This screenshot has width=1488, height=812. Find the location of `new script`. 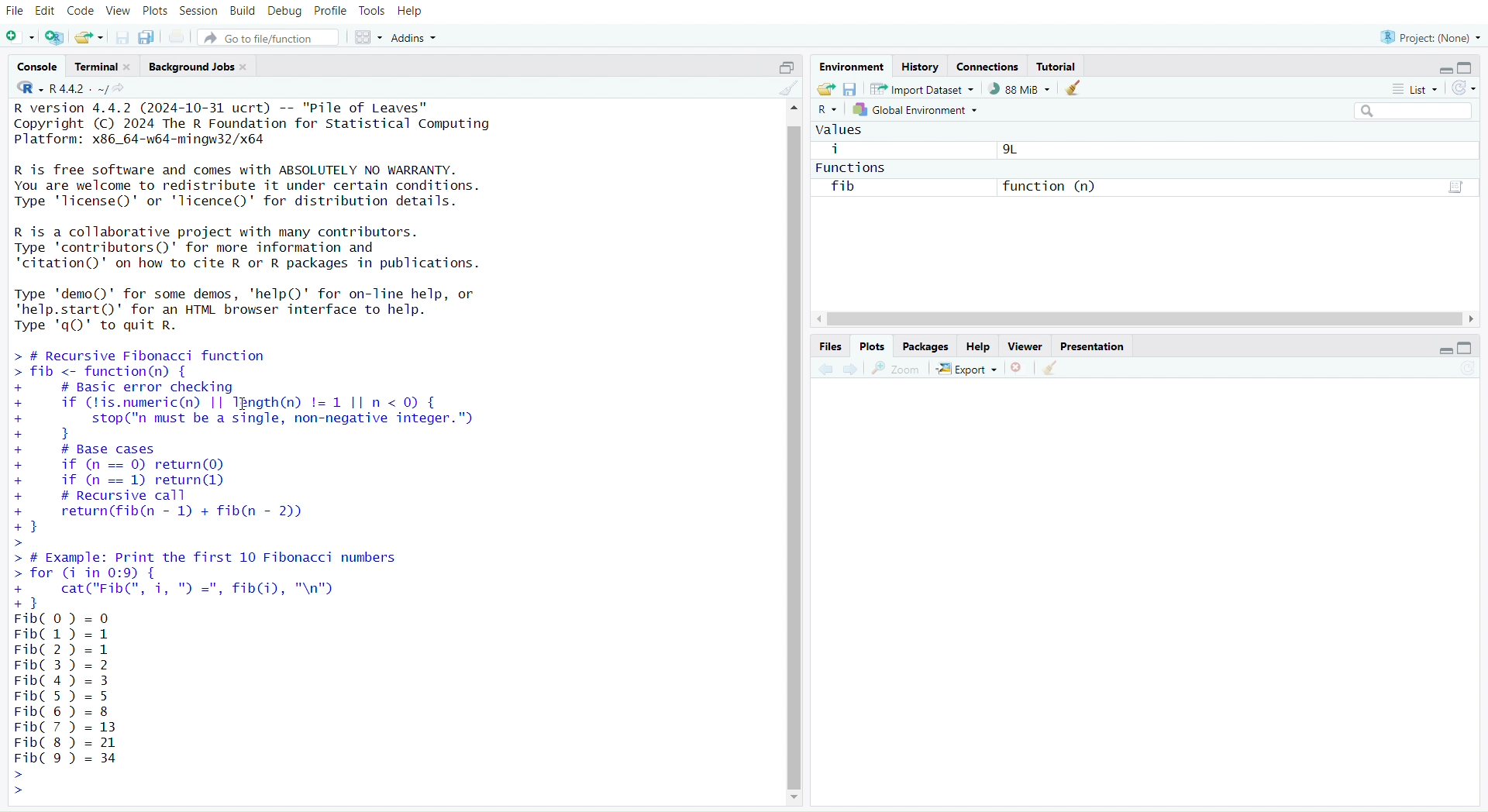

new script is located at coordinates (20, 39).